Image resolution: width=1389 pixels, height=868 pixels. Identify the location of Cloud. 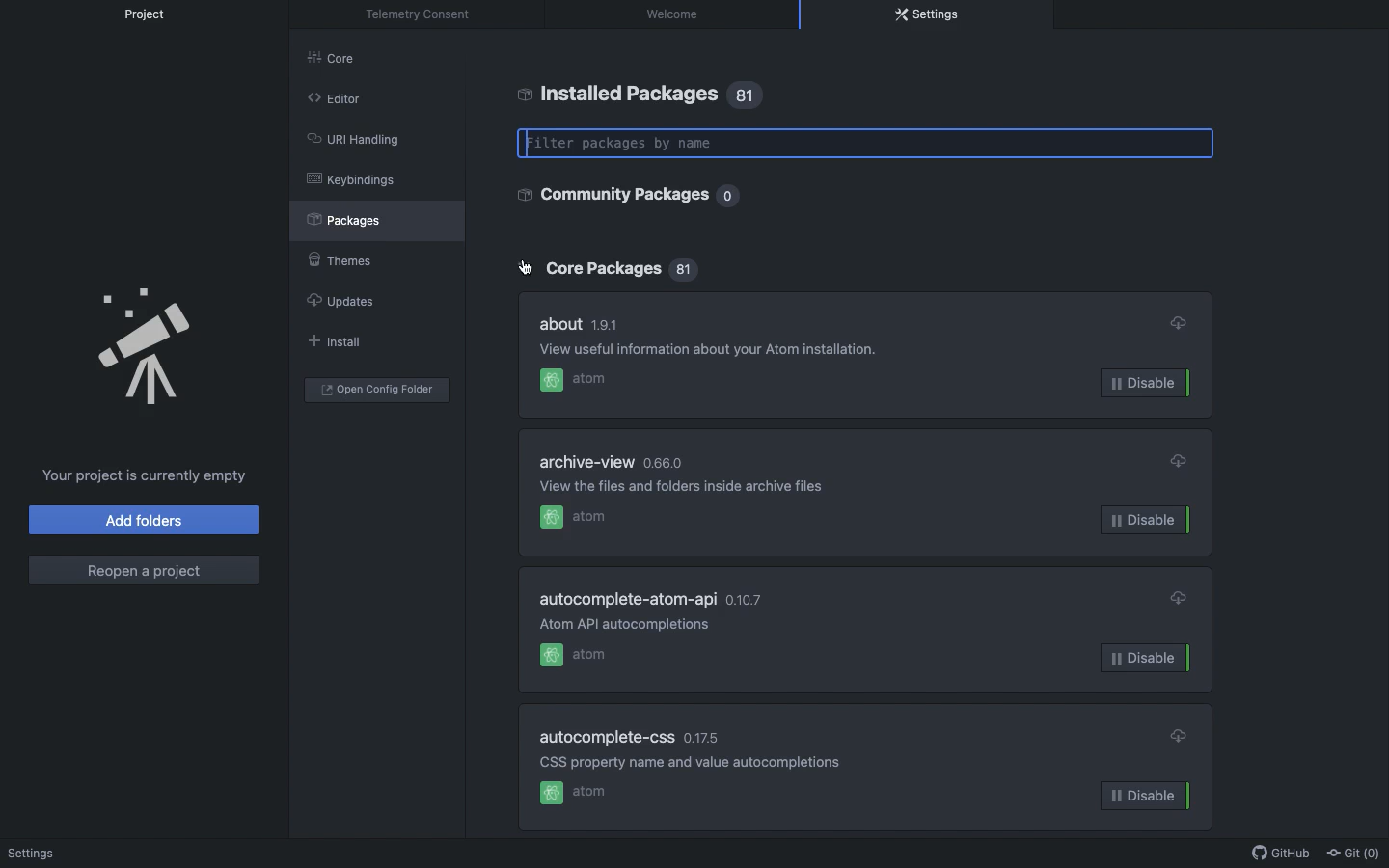
(1180, 461).